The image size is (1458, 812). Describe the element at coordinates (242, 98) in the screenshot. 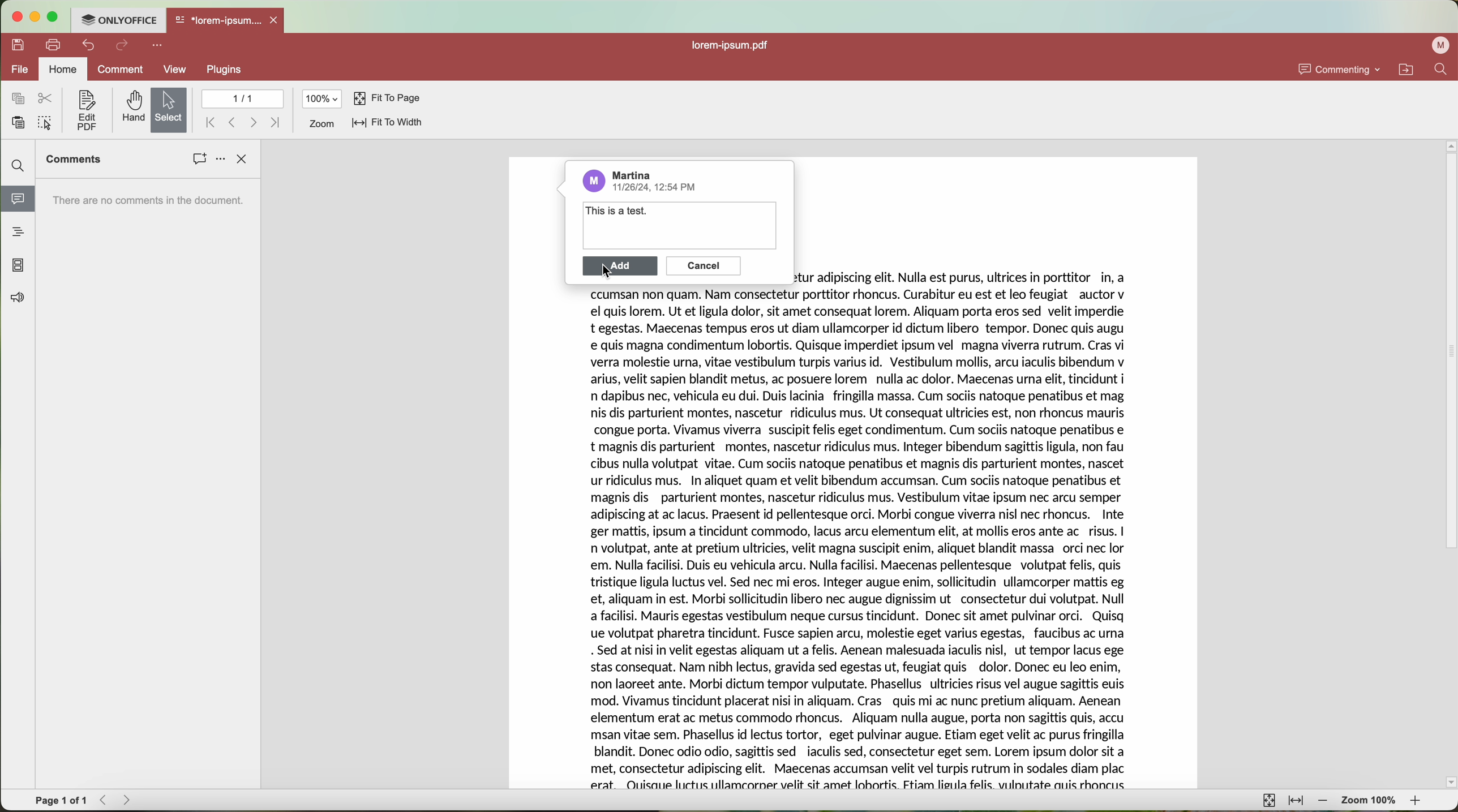

I see `1/1` at that location.